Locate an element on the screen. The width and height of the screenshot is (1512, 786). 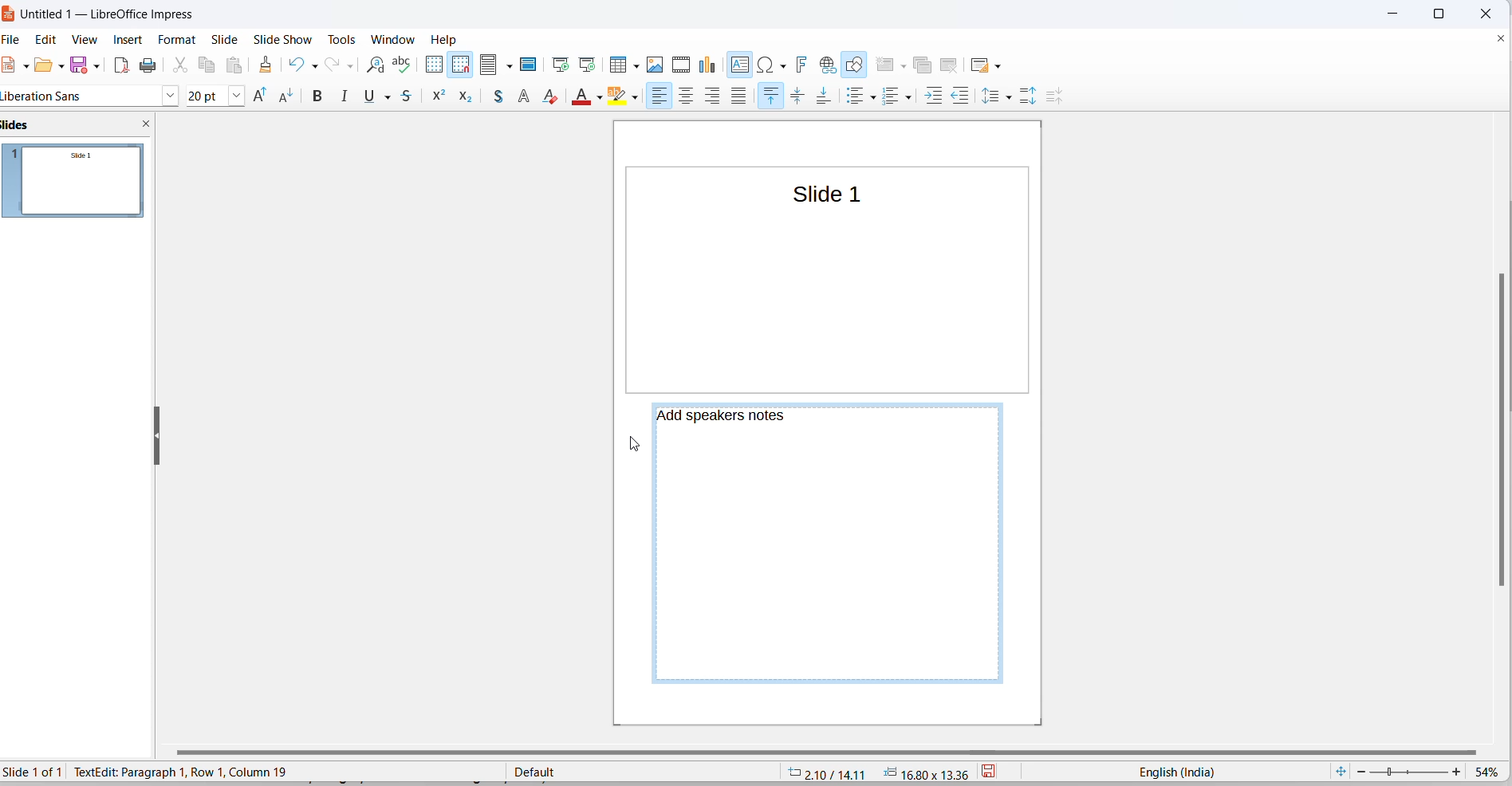
3d objects is located at coordinates (562, 94).